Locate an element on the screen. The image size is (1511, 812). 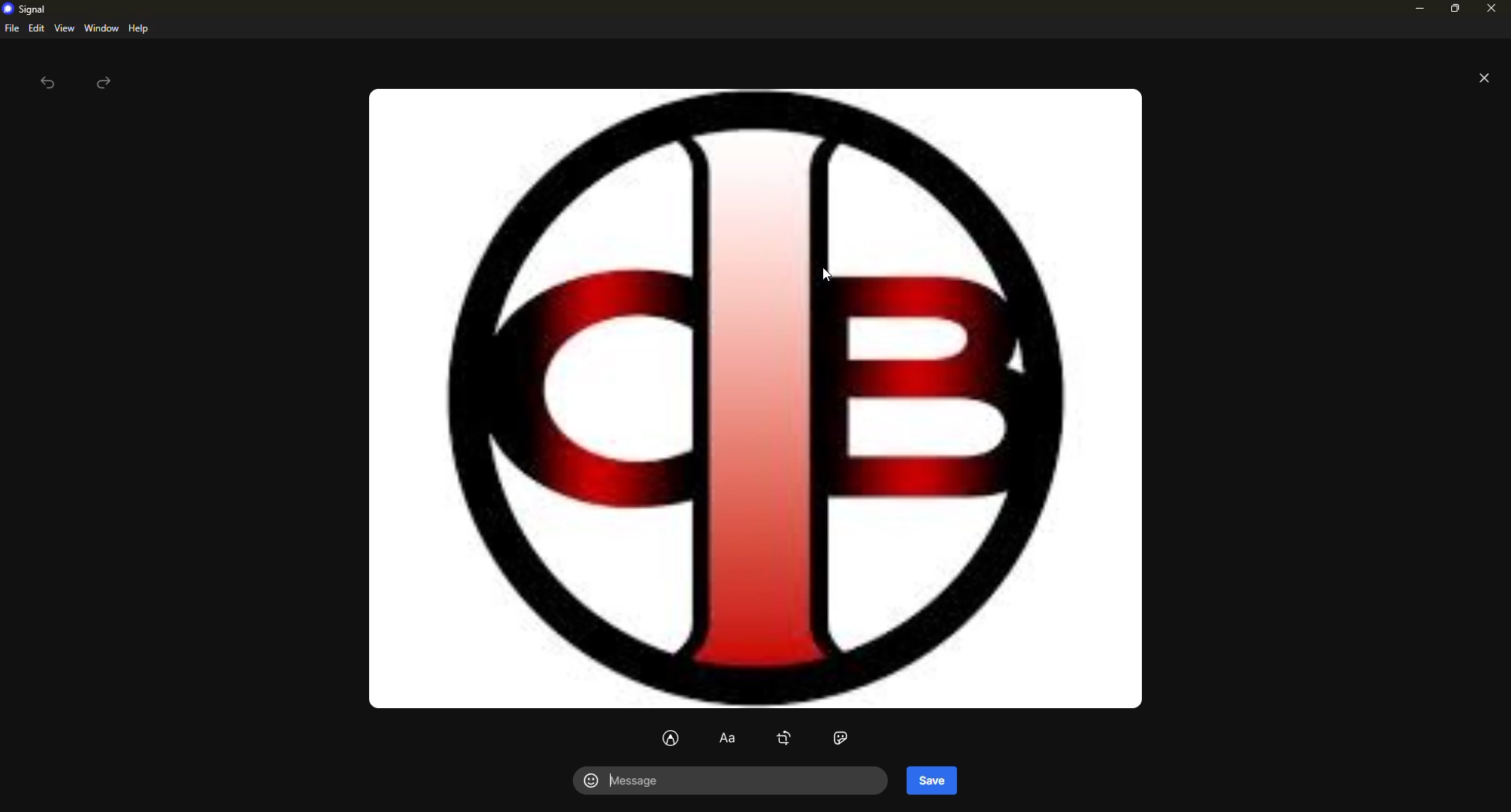
signal is located at coordinates (28, 9).